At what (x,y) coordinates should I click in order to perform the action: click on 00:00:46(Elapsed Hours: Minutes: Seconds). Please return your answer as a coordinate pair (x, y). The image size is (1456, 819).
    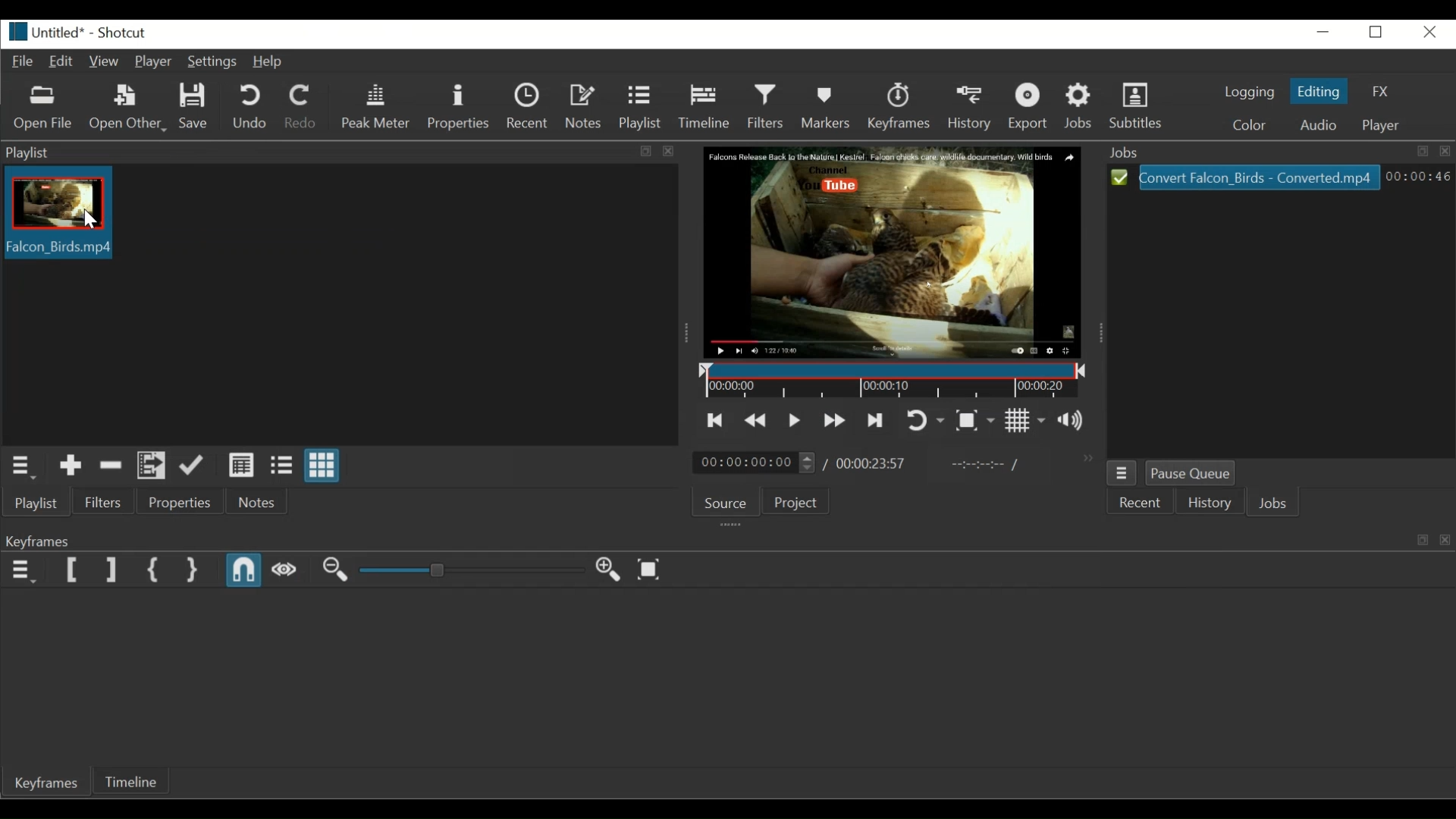
    Looking at the image, I should click on (1418, 176).